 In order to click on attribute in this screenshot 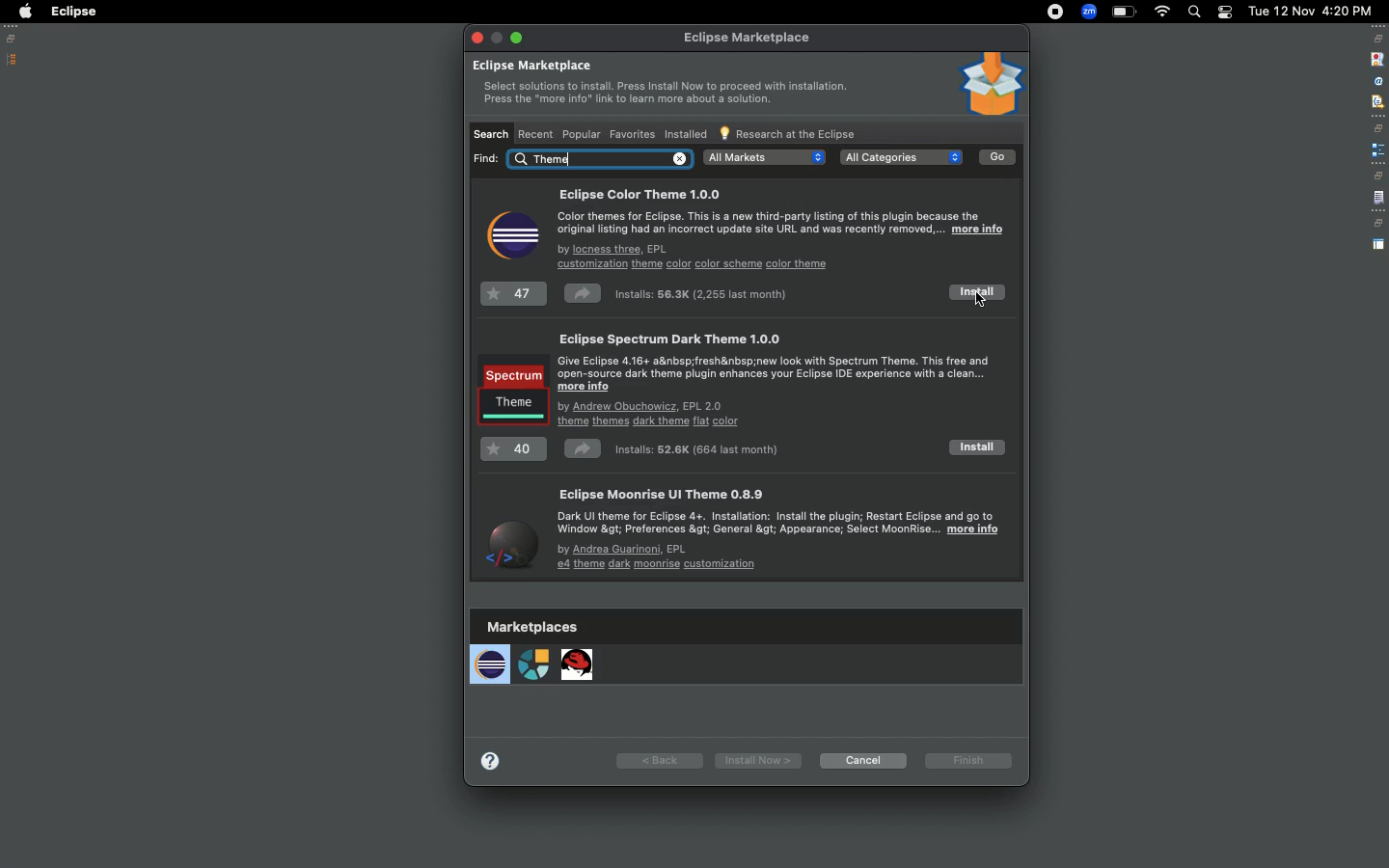, I will do `click(1376, 82)`.